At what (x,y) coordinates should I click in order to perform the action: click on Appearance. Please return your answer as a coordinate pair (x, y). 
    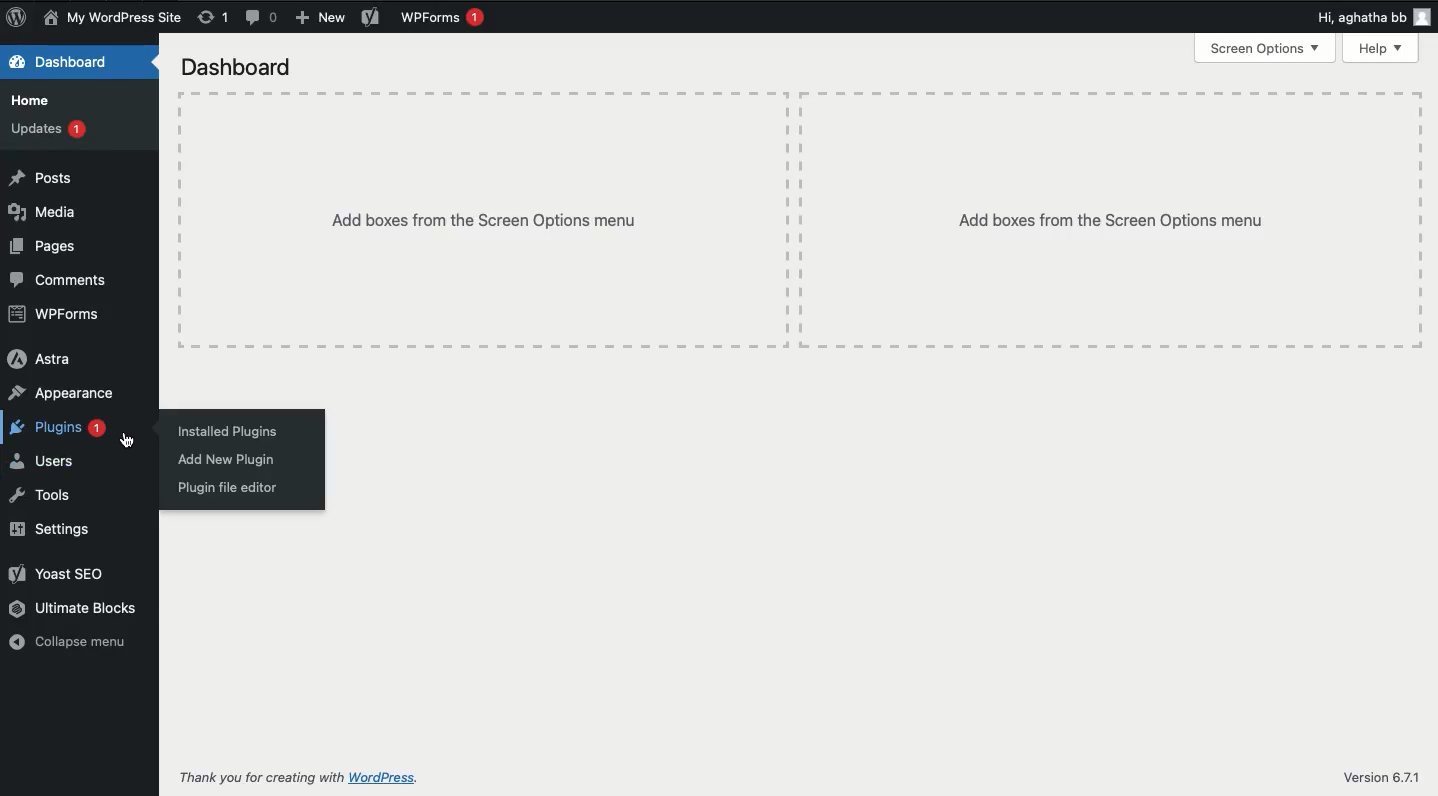
    Looking at the image, I should click on (59, 394).